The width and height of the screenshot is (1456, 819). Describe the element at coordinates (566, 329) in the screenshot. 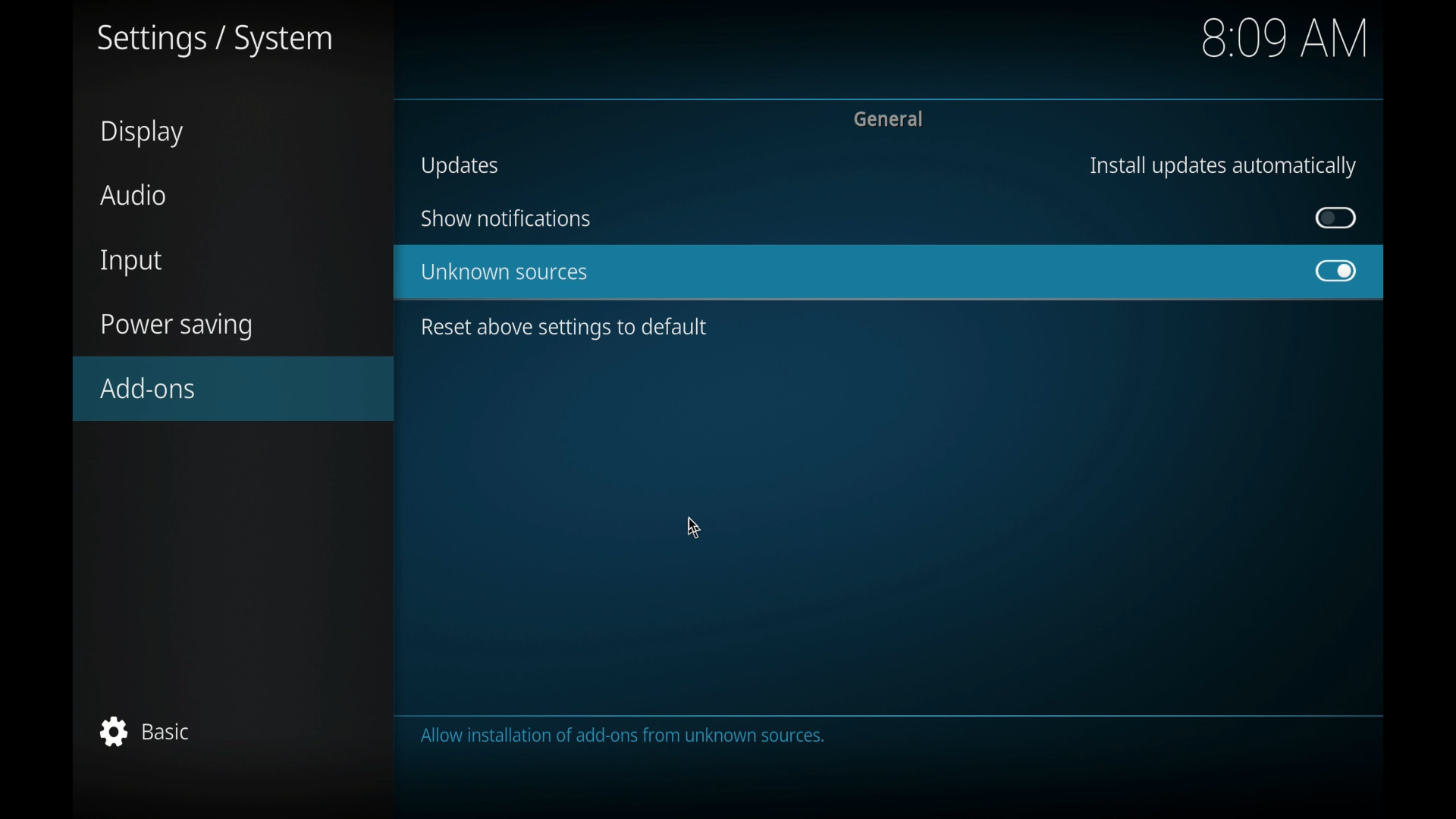

I see `reset above settings to default` at that location.